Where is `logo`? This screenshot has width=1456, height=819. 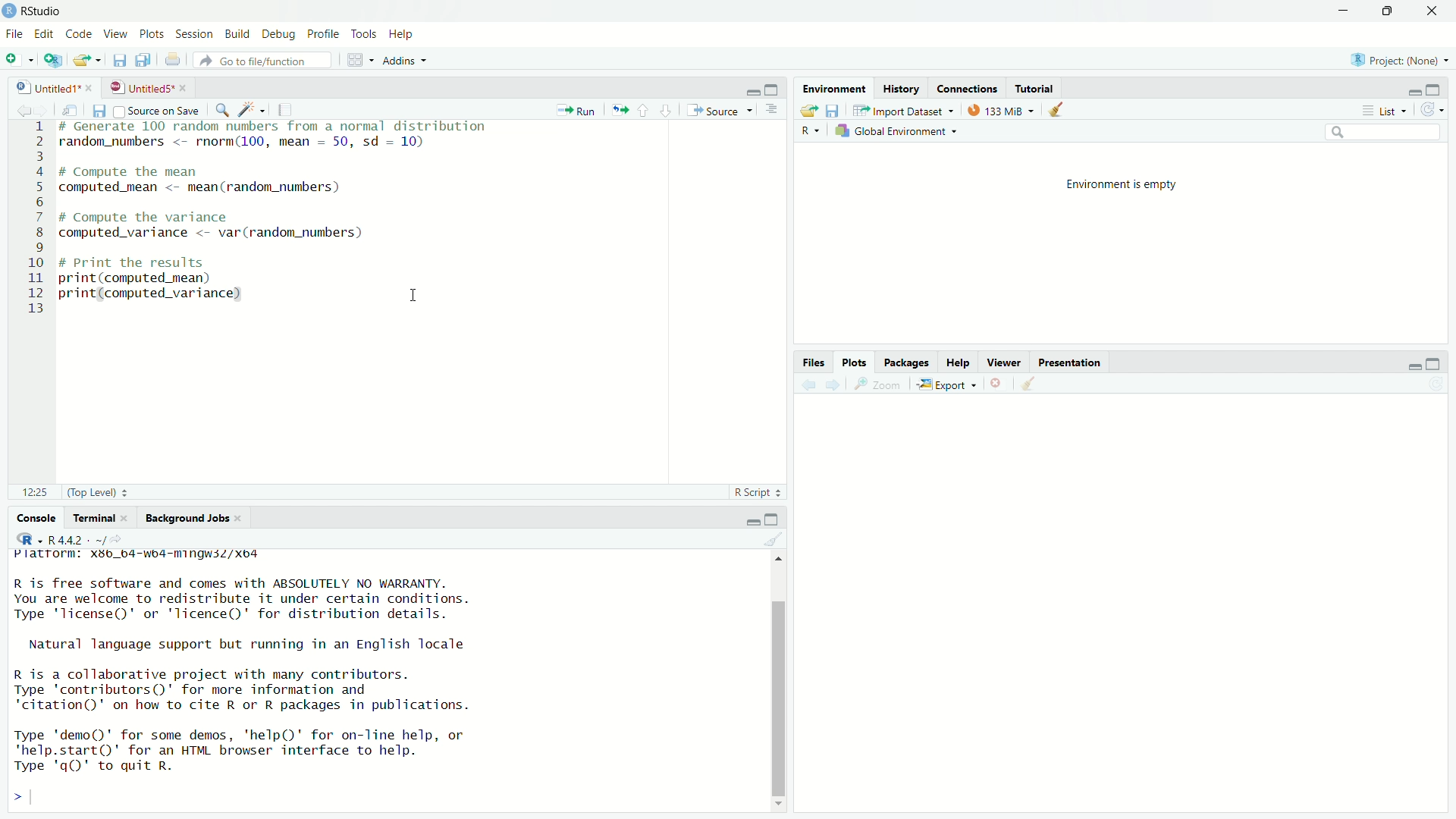
logo is located at coordinates (9, 11).